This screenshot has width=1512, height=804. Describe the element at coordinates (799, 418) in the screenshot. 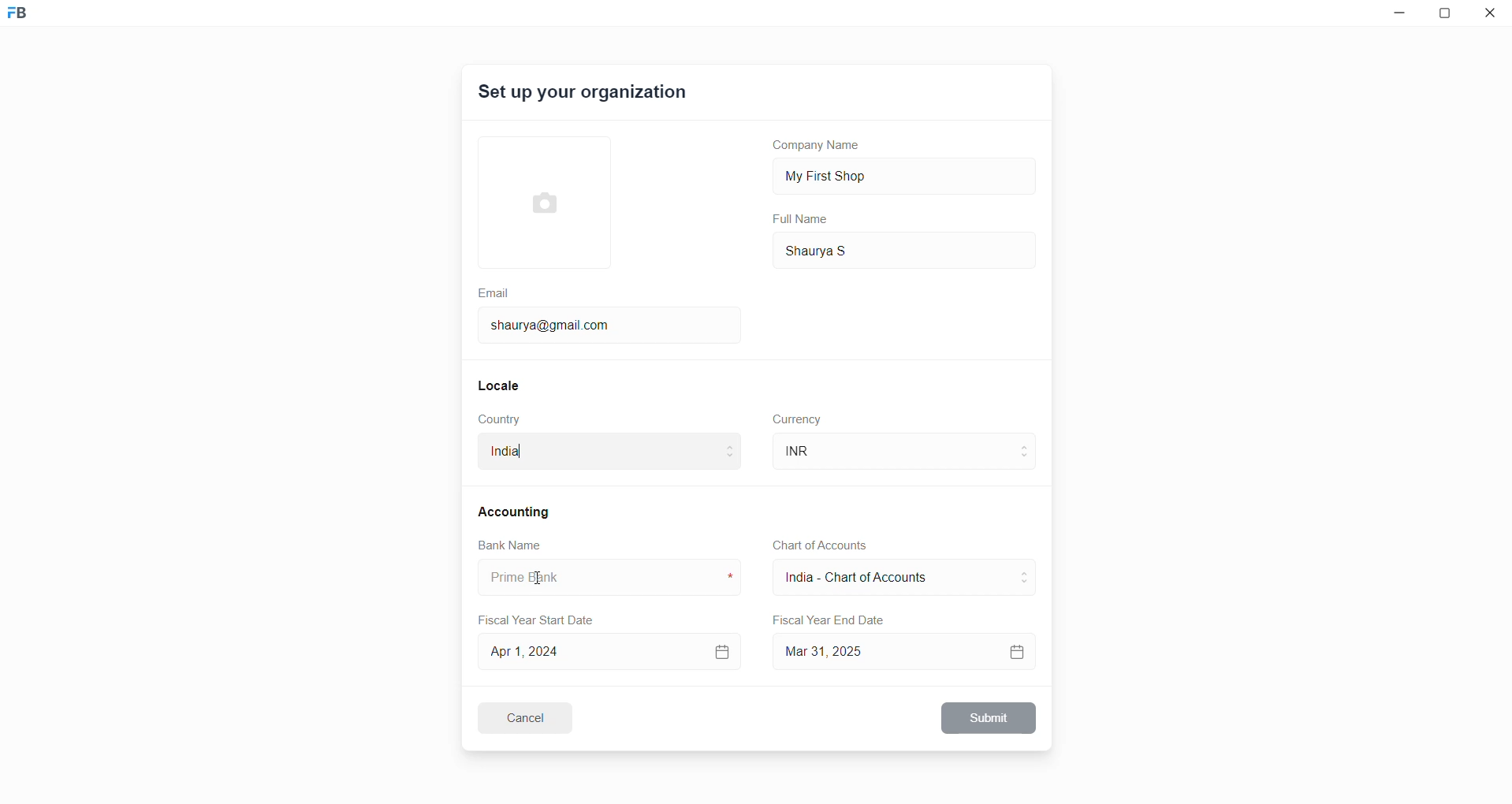

I see `Currency` at that location.